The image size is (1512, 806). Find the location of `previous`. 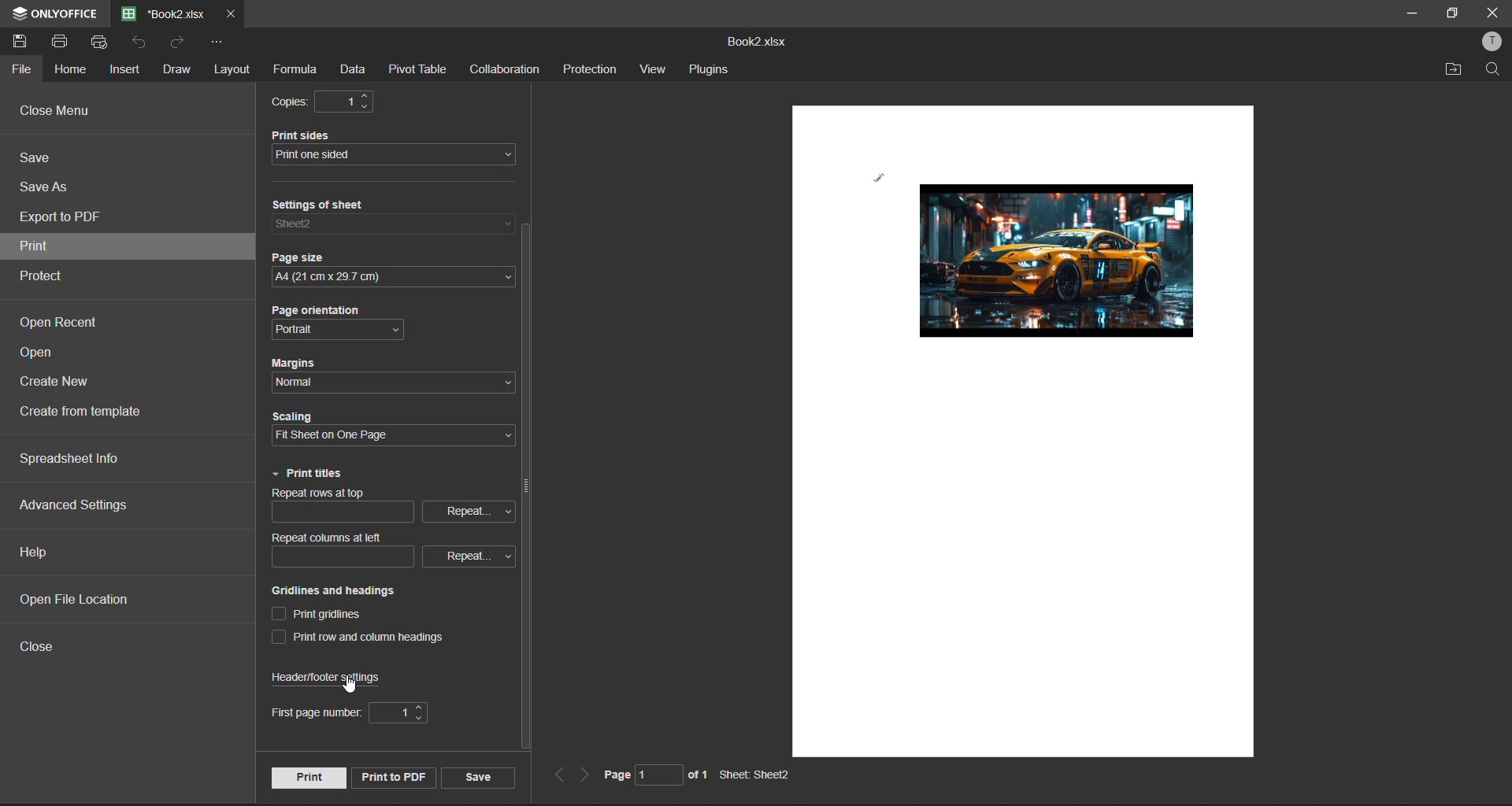

previous is located at coordinates (559, 775).